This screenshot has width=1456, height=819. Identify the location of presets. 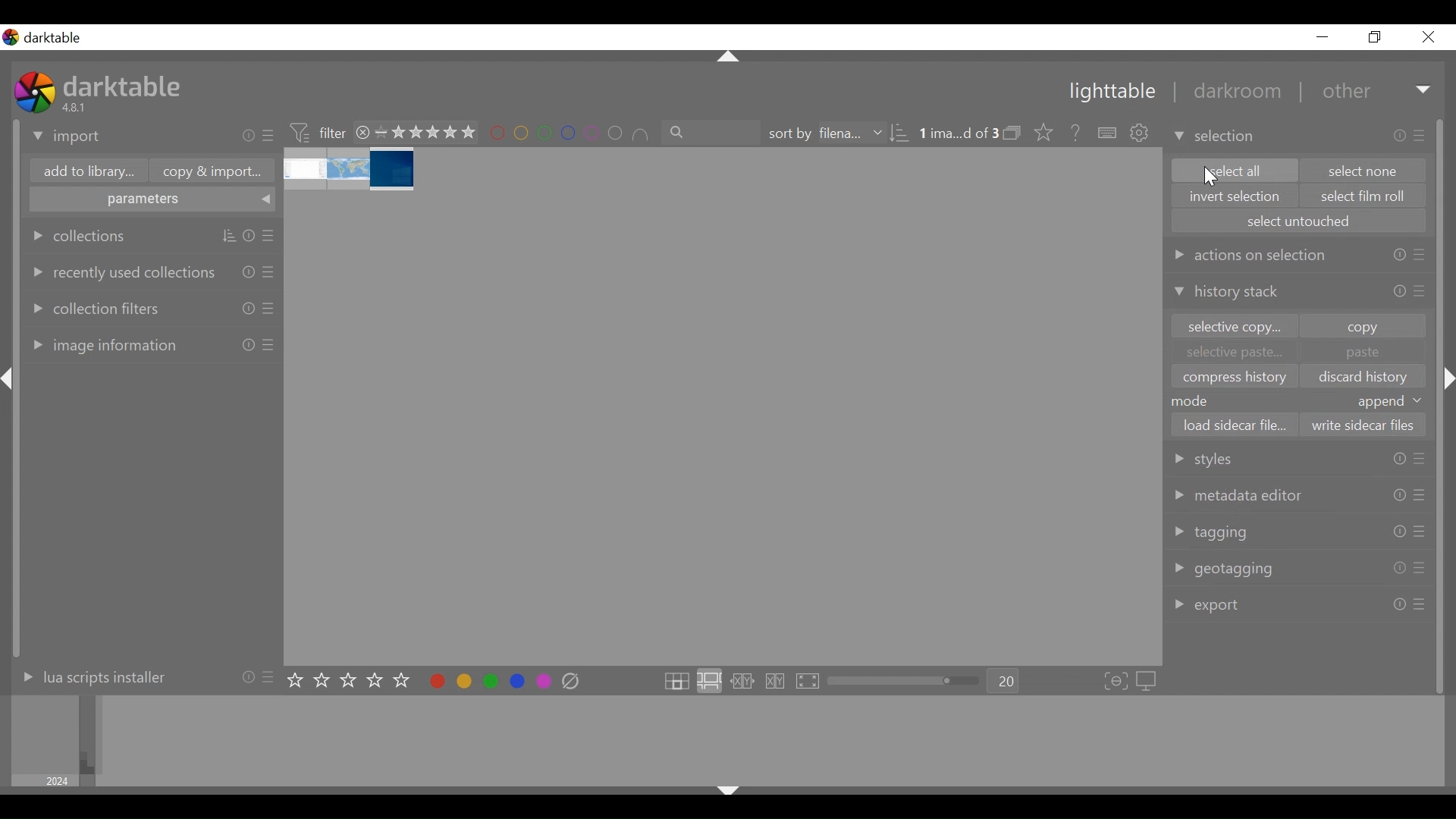
(271, 676).